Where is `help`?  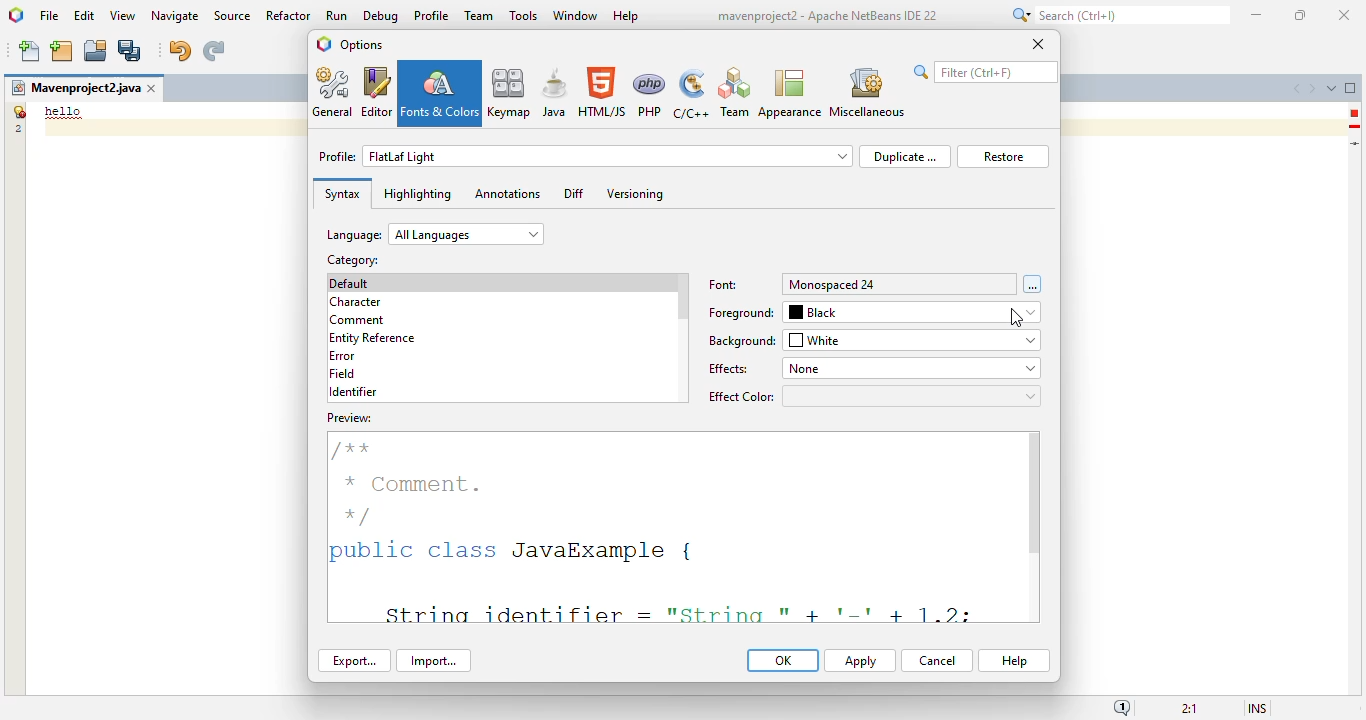
help is located at coordinates (627, 17).